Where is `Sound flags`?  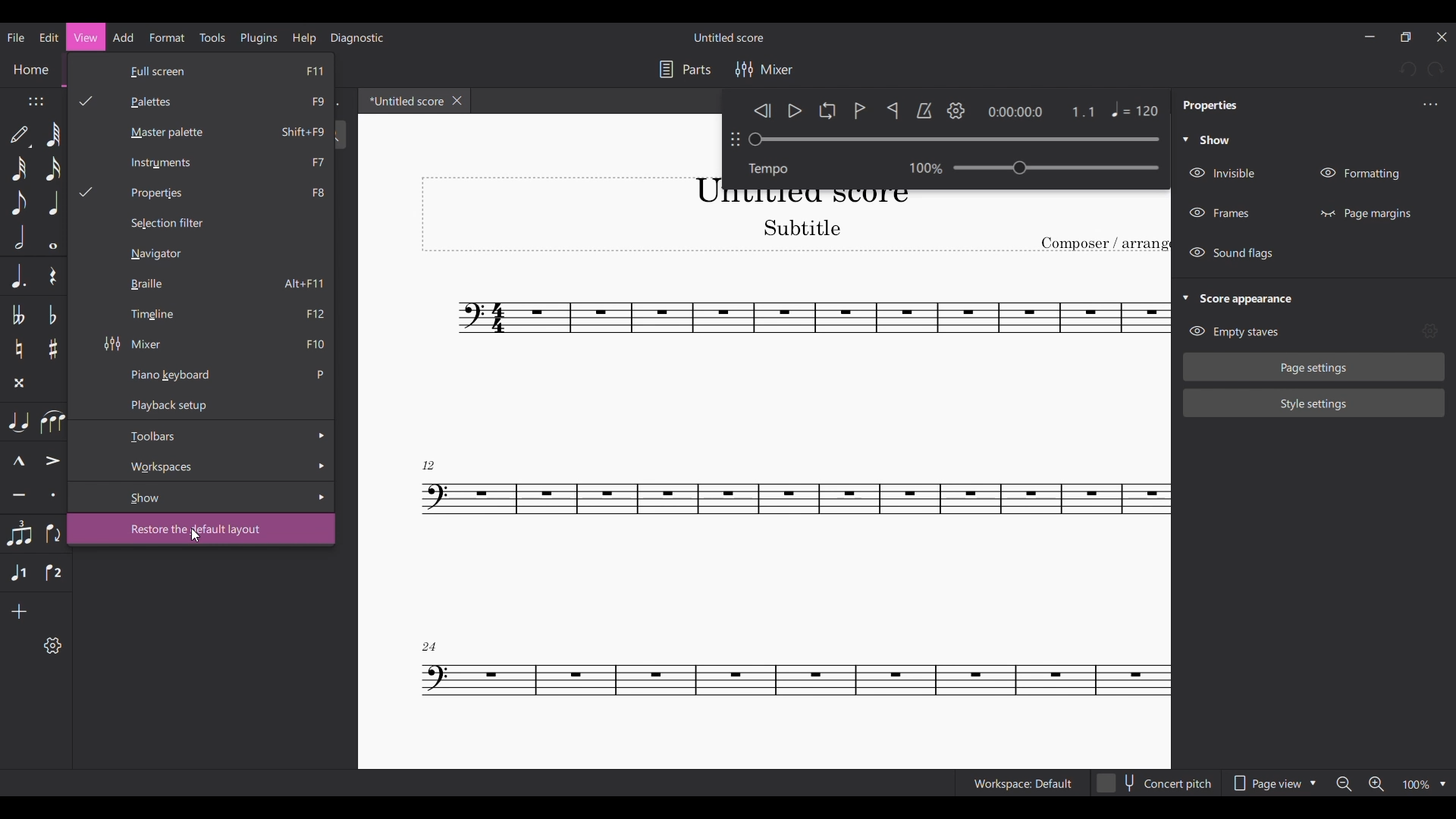
Sound flags is located at coordinates (1234, 253).